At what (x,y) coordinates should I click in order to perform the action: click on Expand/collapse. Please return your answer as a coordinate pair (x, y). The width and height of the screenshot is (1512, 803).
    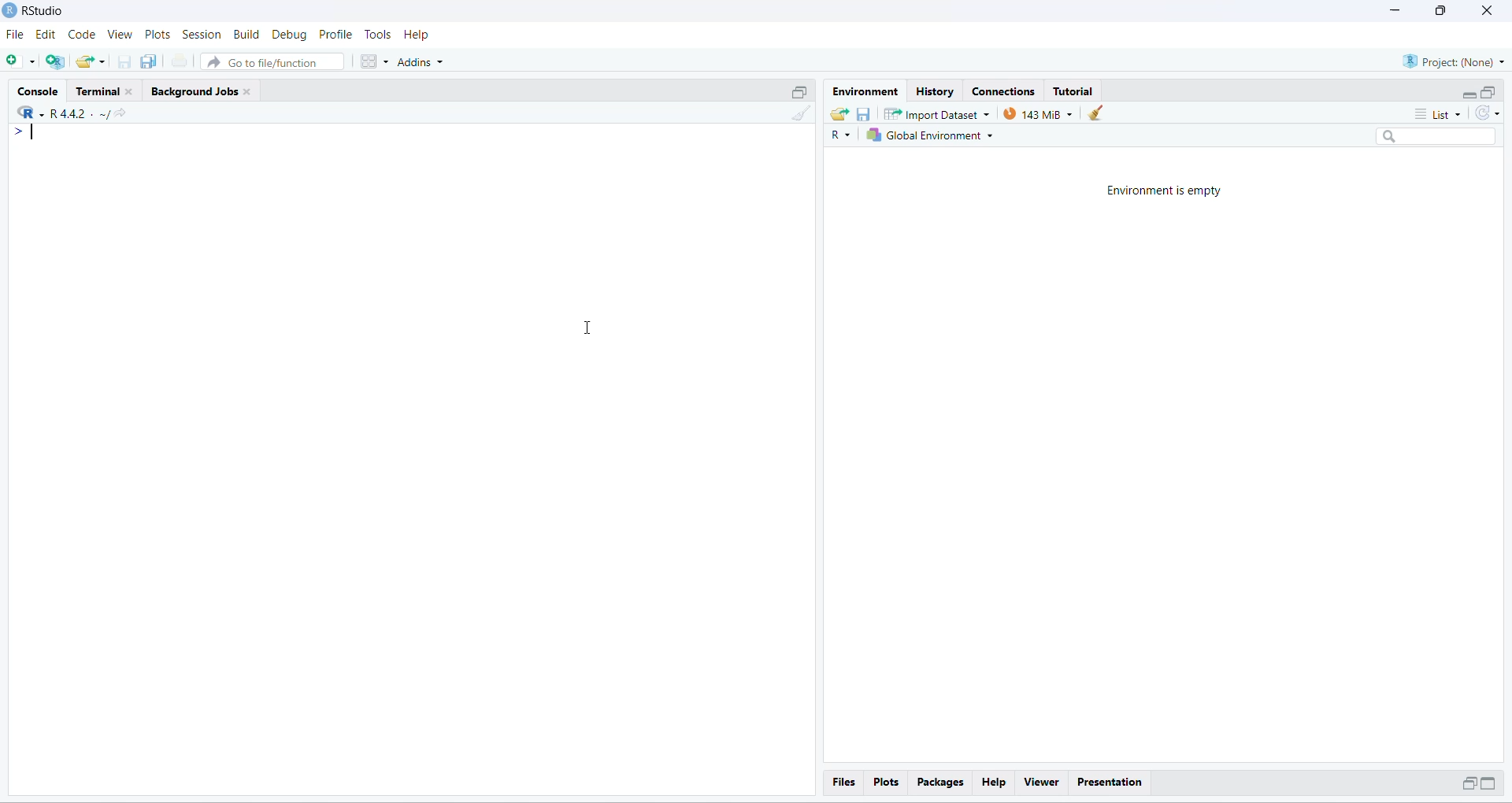
    Looking at the image, I should click on (1488, 783).